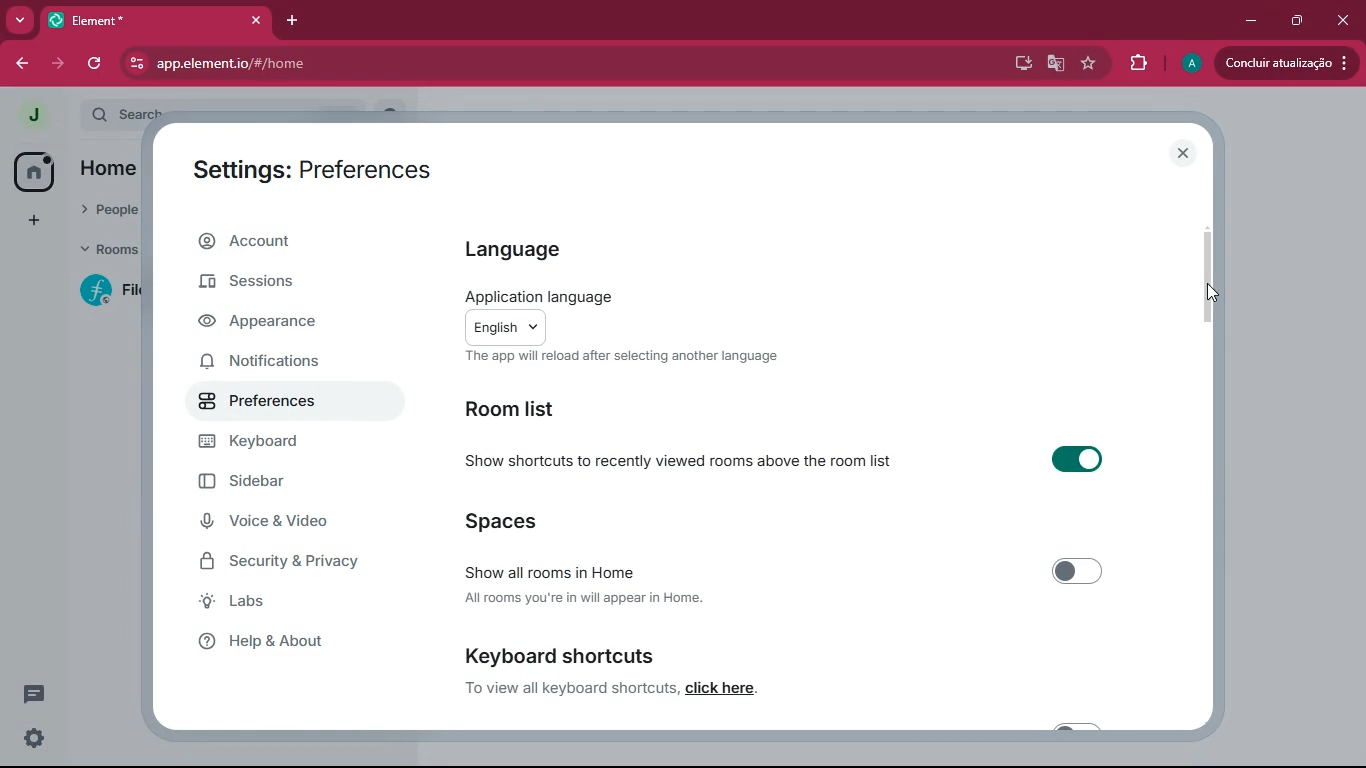 This screenshot has width=1366, height=768. Describe the element at coordinates (279, 403) in the screenshot. I see `preferences` at that location.